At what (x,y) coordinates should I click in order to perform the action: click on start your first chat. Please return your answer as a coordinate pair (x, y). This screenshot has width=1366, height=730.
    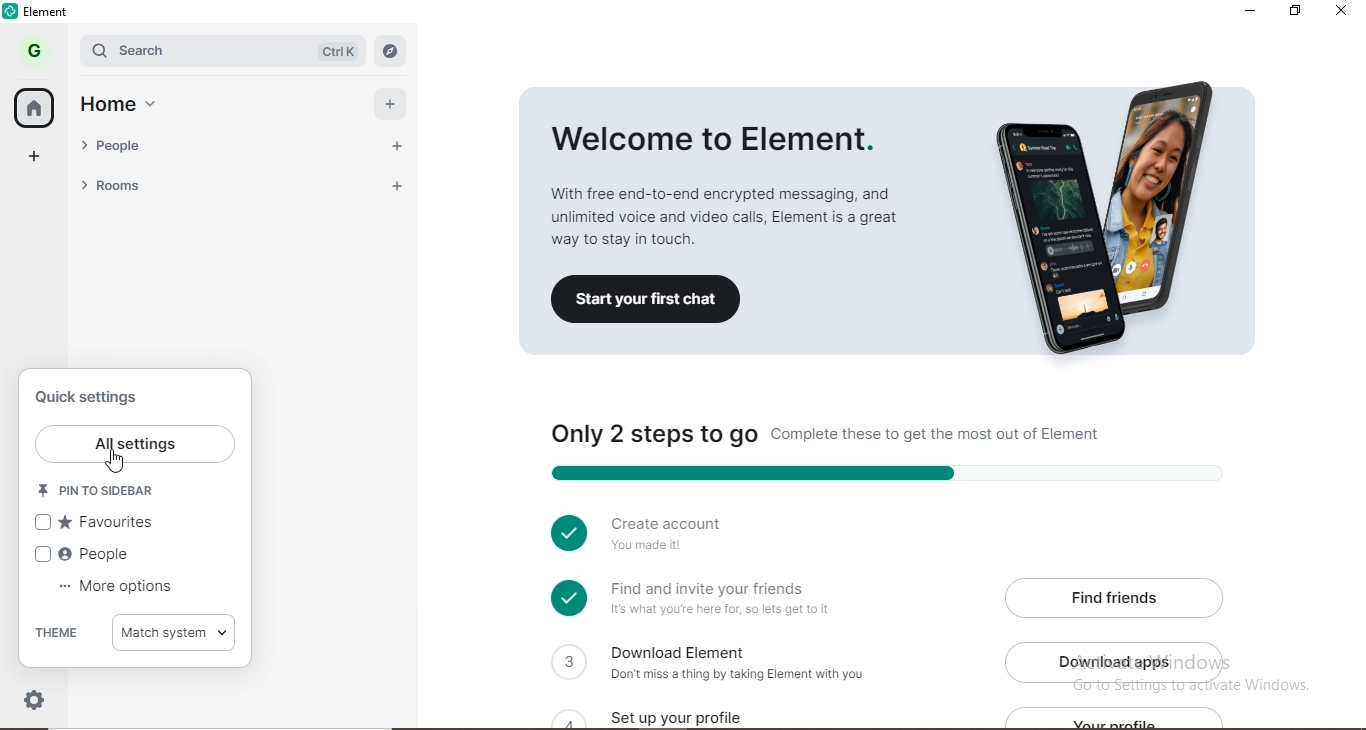
    Looking at the image, I should click on (645, 301).